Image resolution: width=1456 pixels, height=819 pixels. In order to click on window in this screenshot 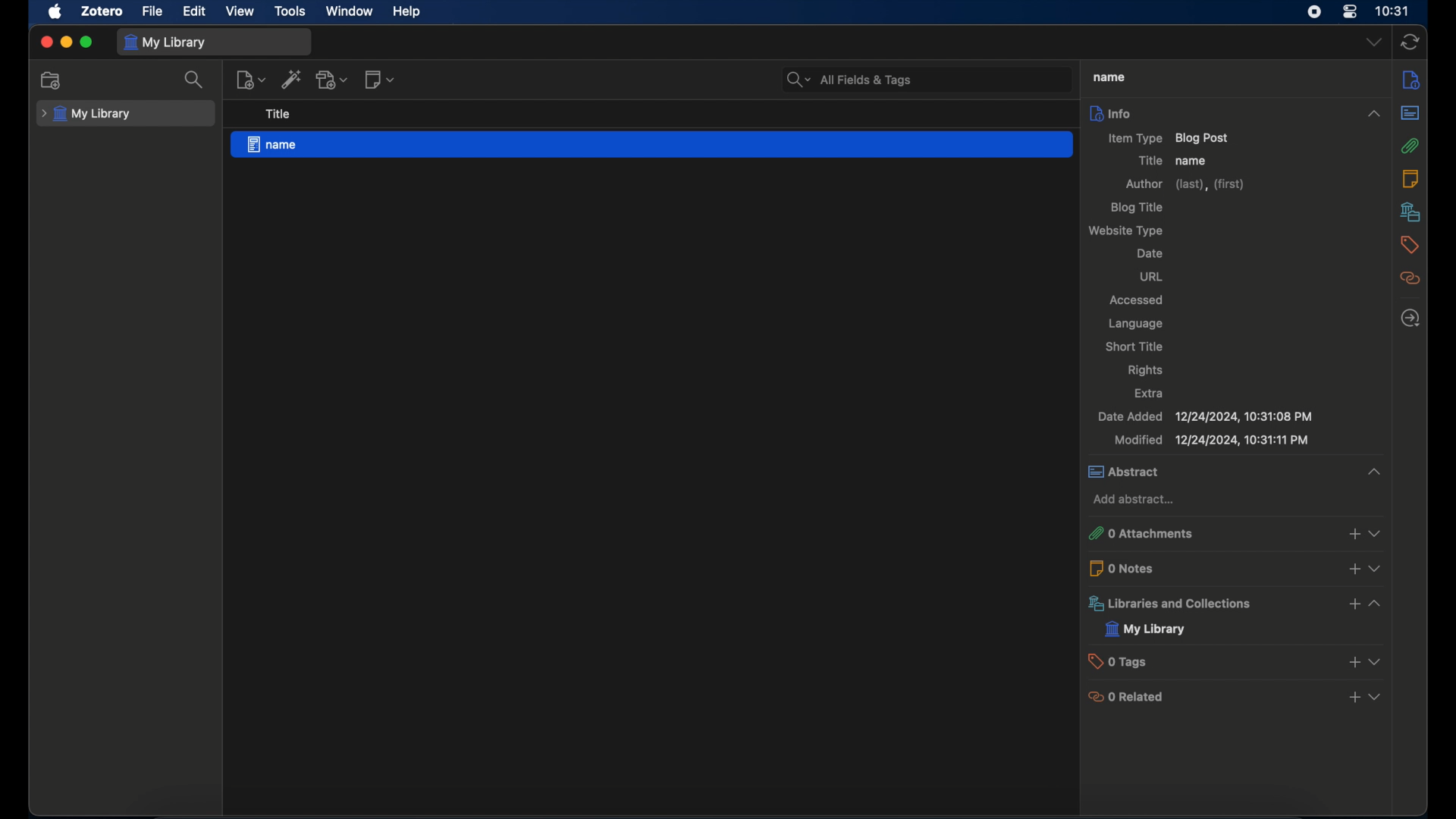, I will do `click(350, 11)`.